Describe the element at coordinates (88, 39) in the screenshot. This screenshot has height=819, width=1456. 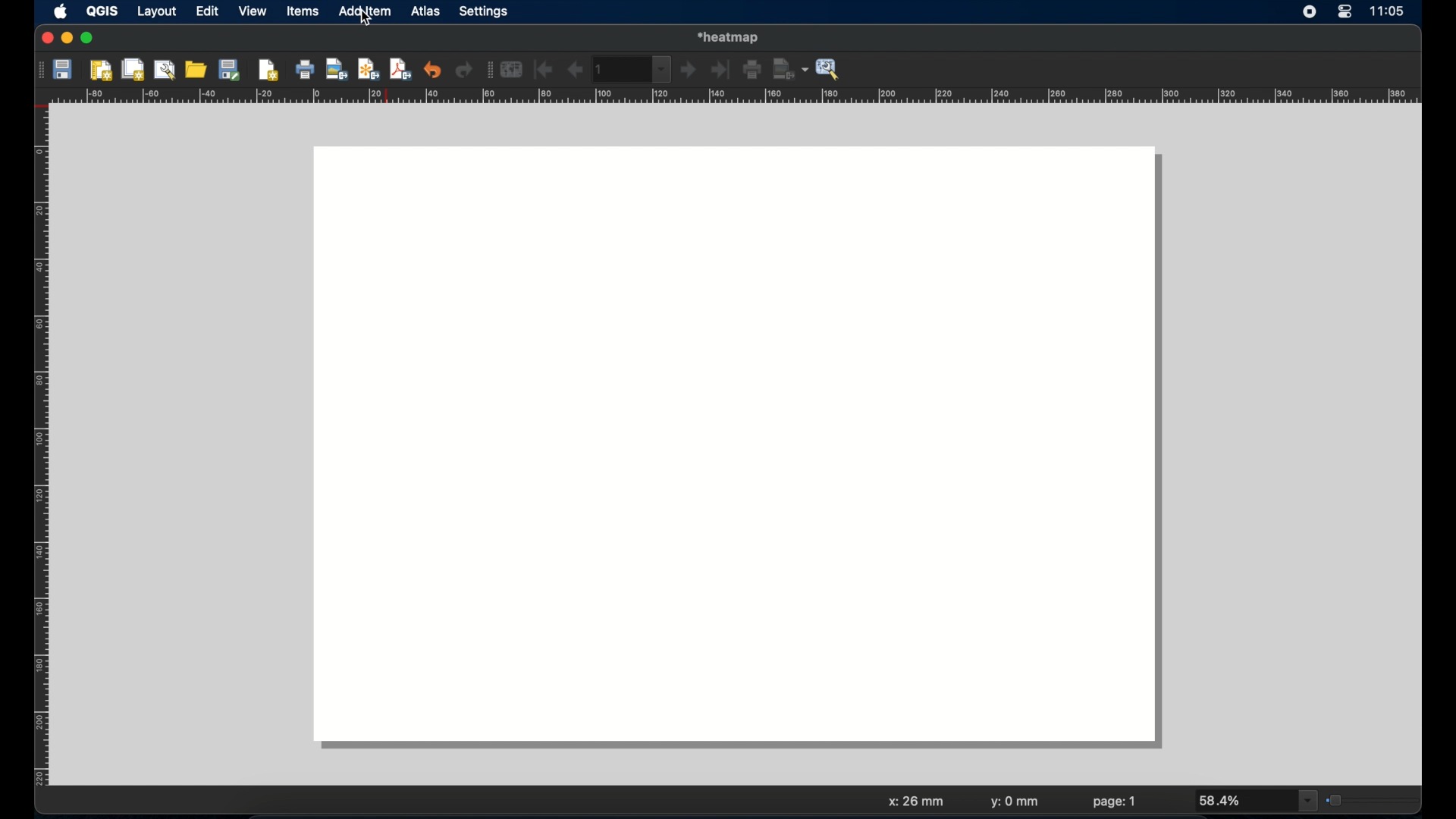
I see `maximize` at that location.